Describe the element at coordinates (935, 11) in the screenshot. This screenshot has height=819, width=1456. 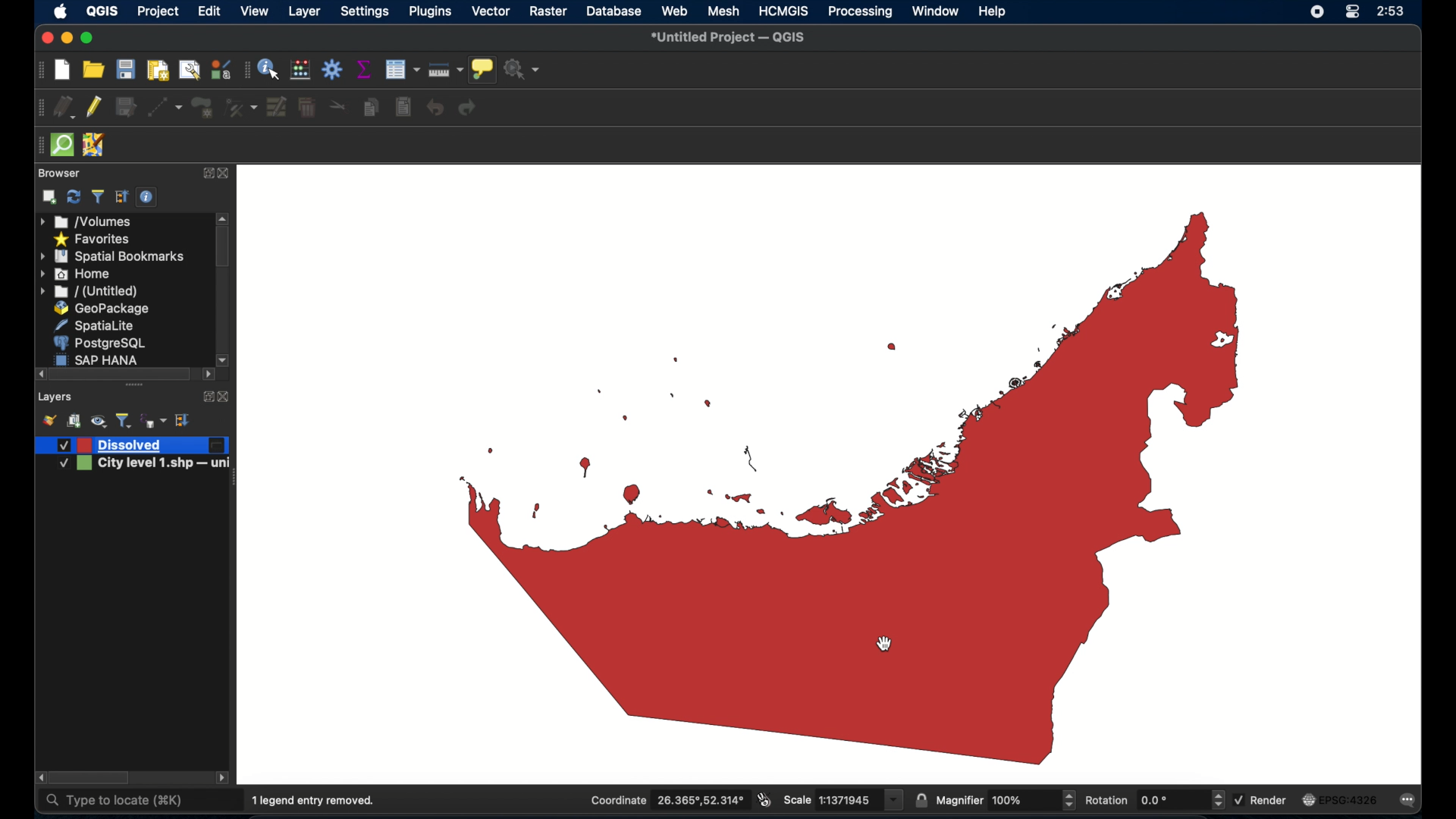
I see `window` at that location.